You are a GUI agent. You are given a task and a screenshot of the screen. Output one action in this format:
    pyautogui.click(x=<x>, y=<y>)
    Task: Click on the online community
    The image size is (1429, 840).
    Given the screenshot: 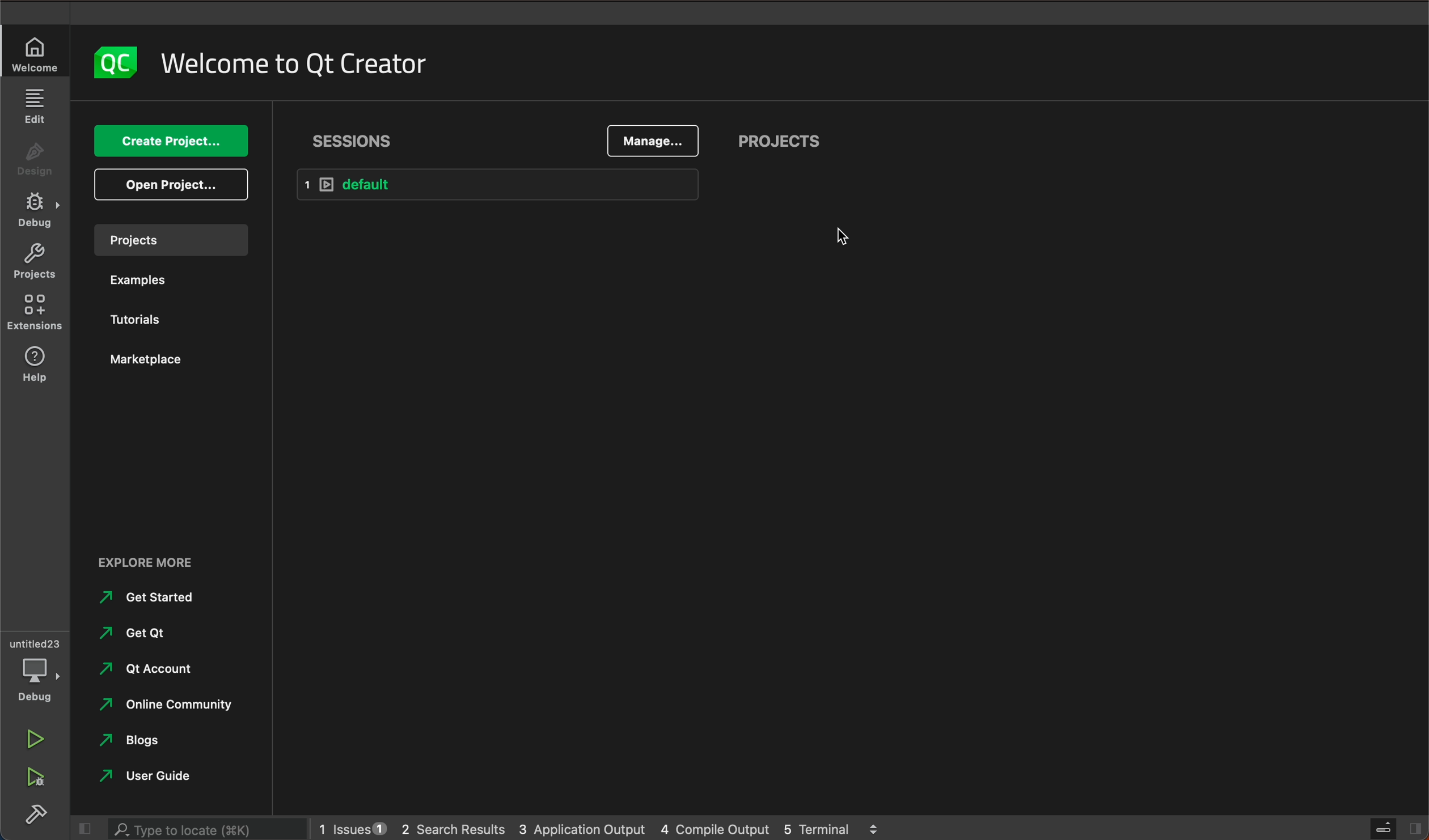 What is the action you would take?
    pyautogui.click(x=163, y=707)
    